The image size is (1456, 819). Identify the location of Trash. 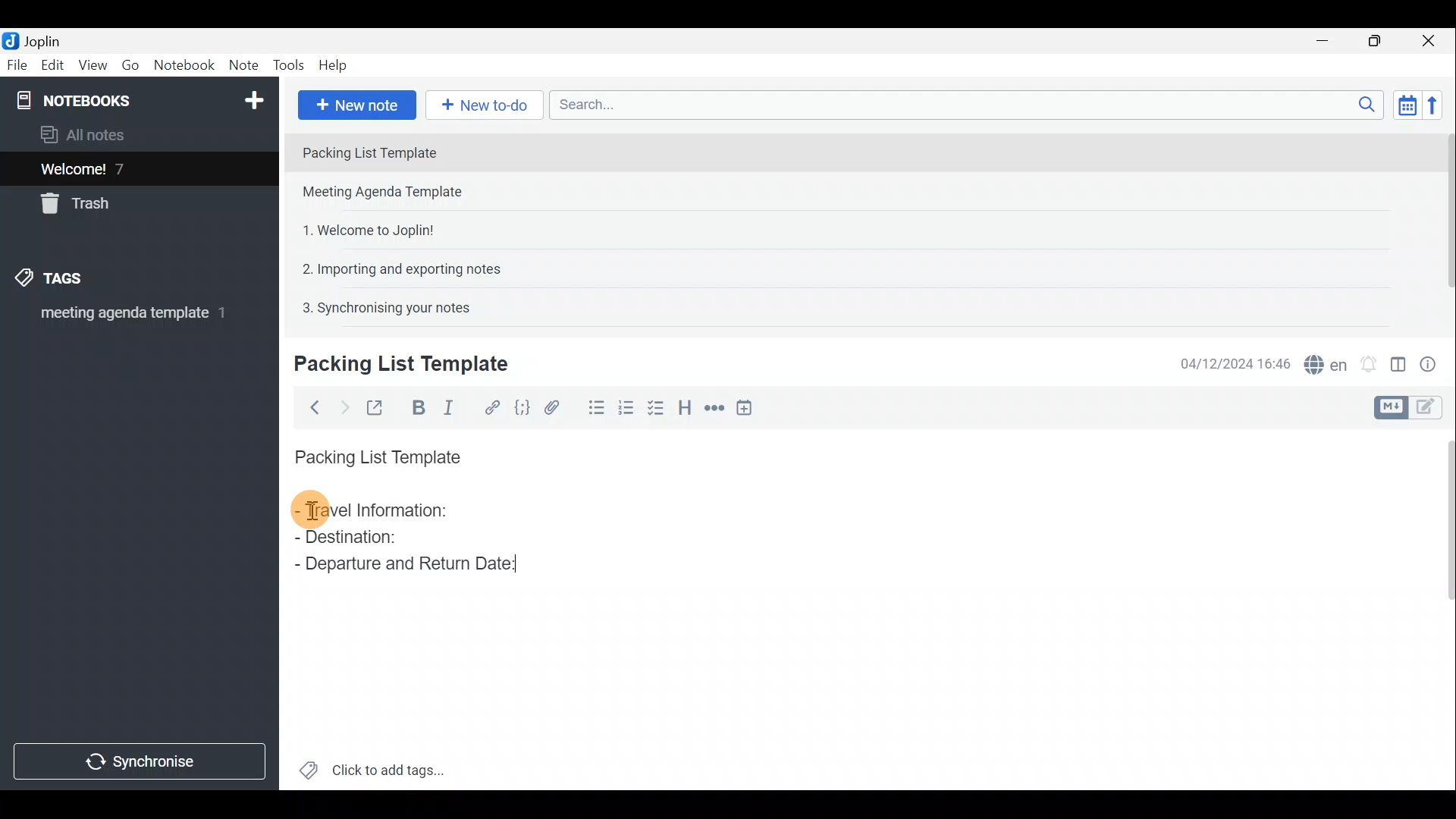
(81, 206).